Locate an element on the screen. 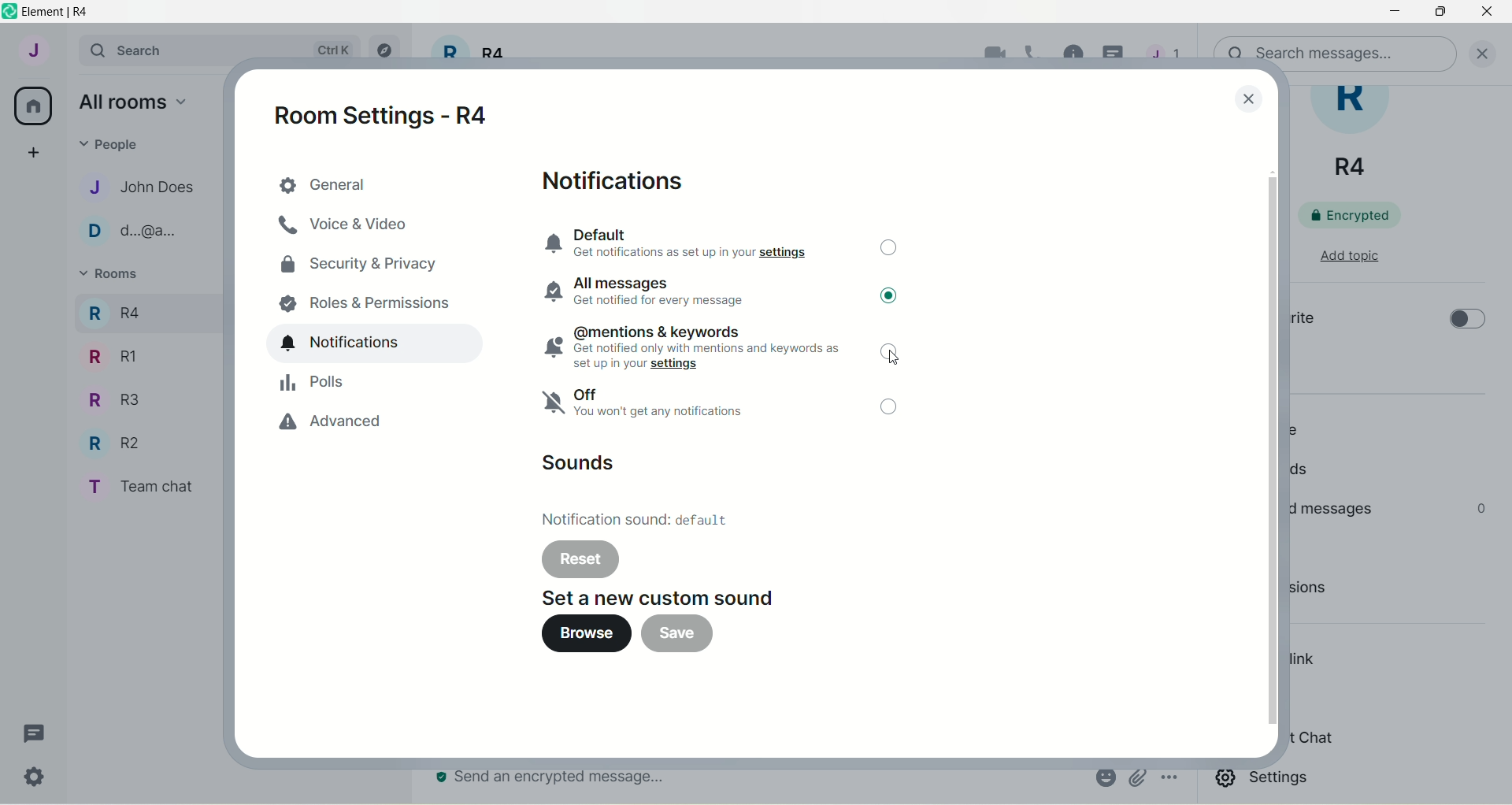  favourite is located at coordinates (1301, 321).